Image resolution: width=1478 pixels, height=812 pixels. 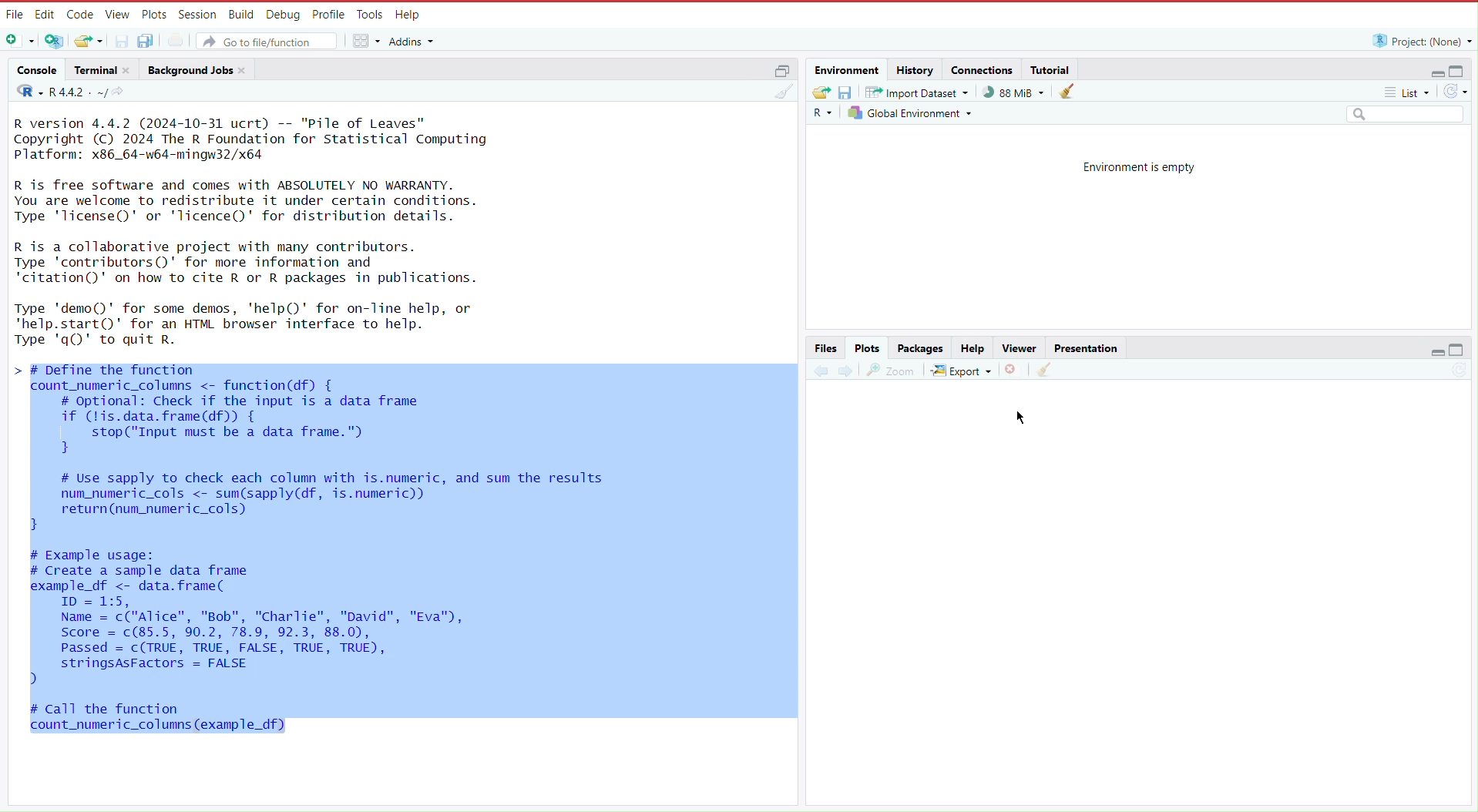 I want to click on Addins, so click(x=415, y=42).